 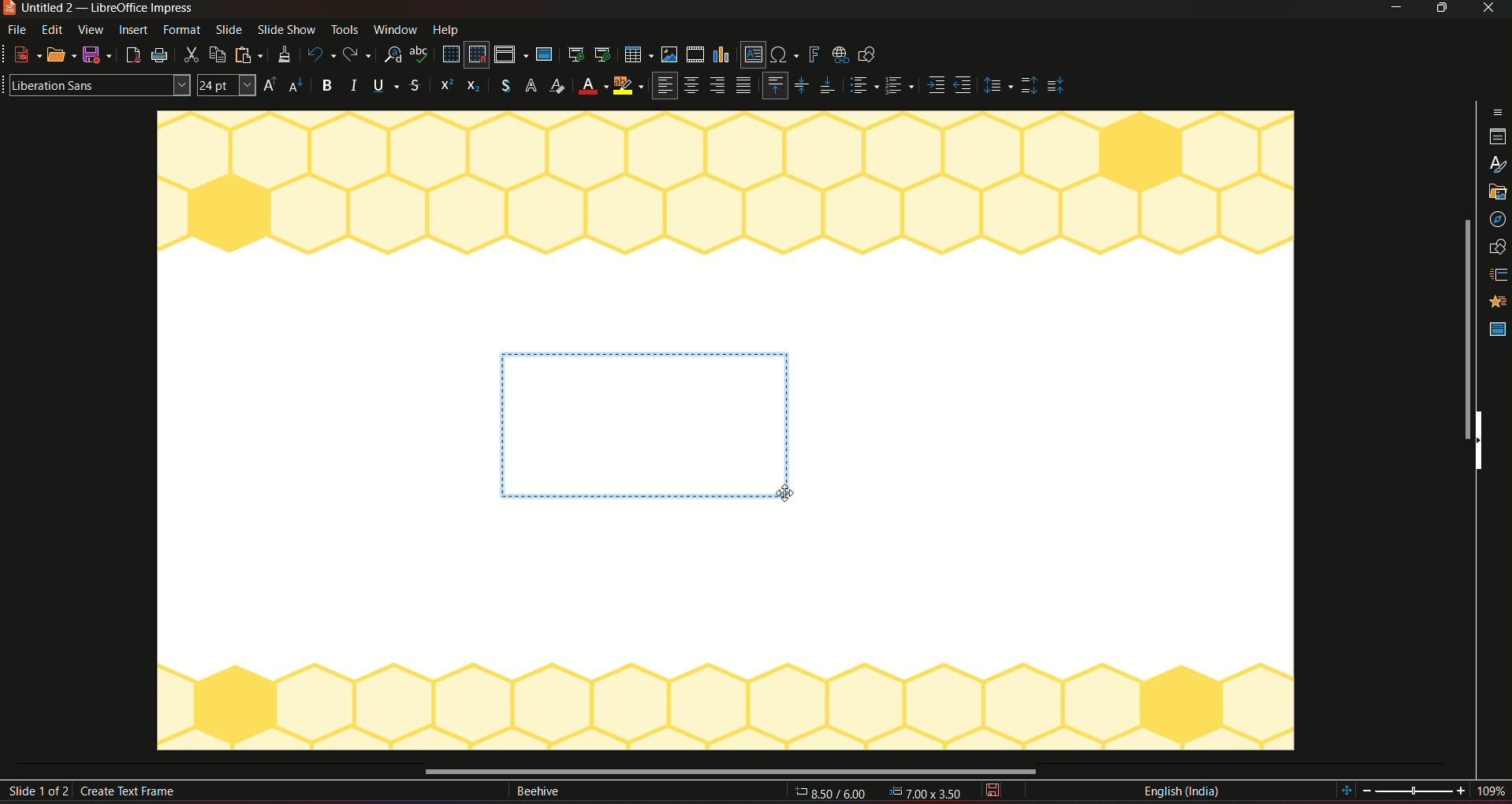 I want to click on insert text box, so click(x=752, y=55).